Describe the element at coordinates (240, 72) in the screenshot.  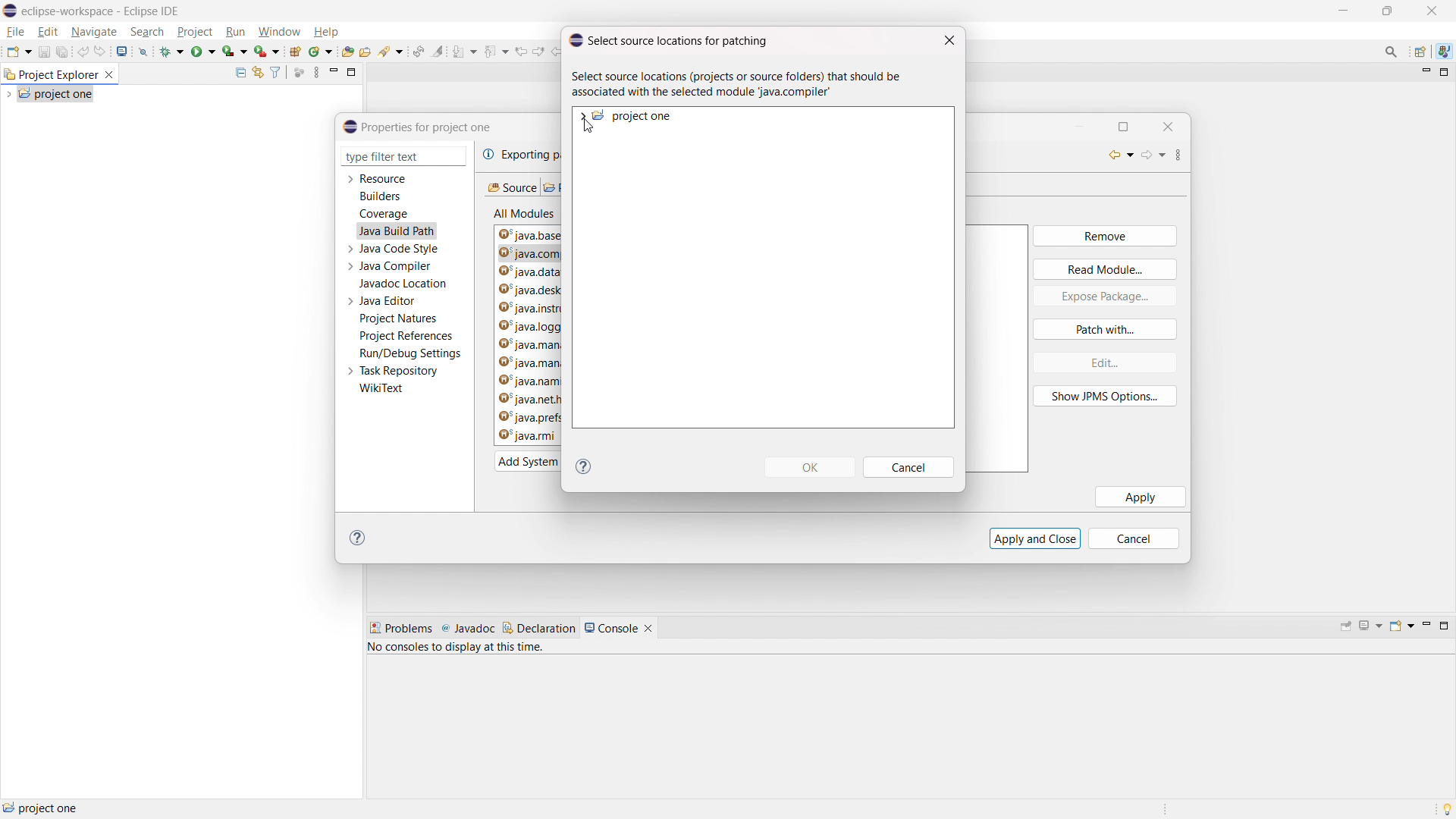
I see `collapse all` at that location.